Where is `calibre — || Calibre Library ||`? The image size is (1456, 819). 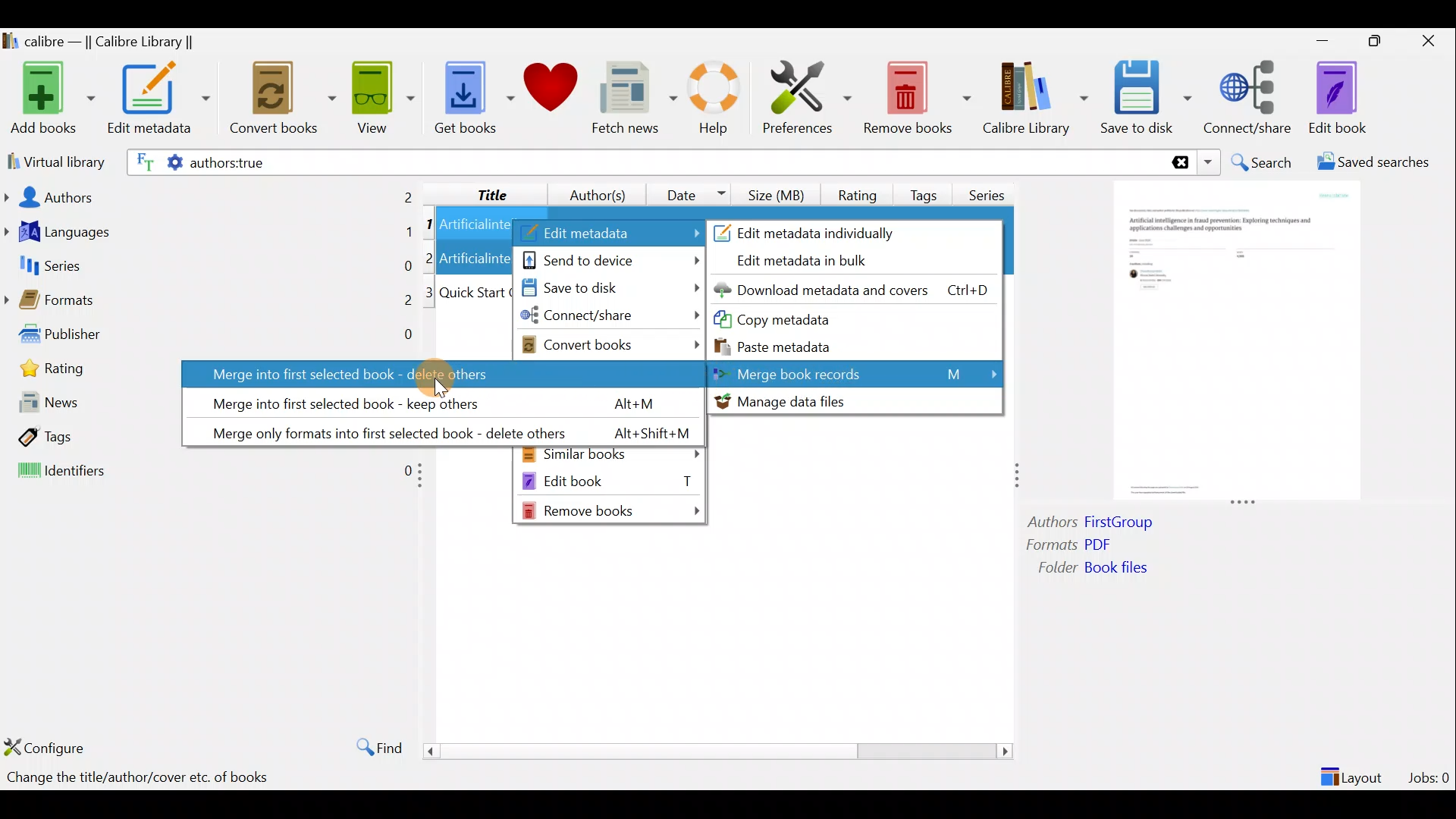
calibre — || Calibre Library || is located at coordinates (101, 42).